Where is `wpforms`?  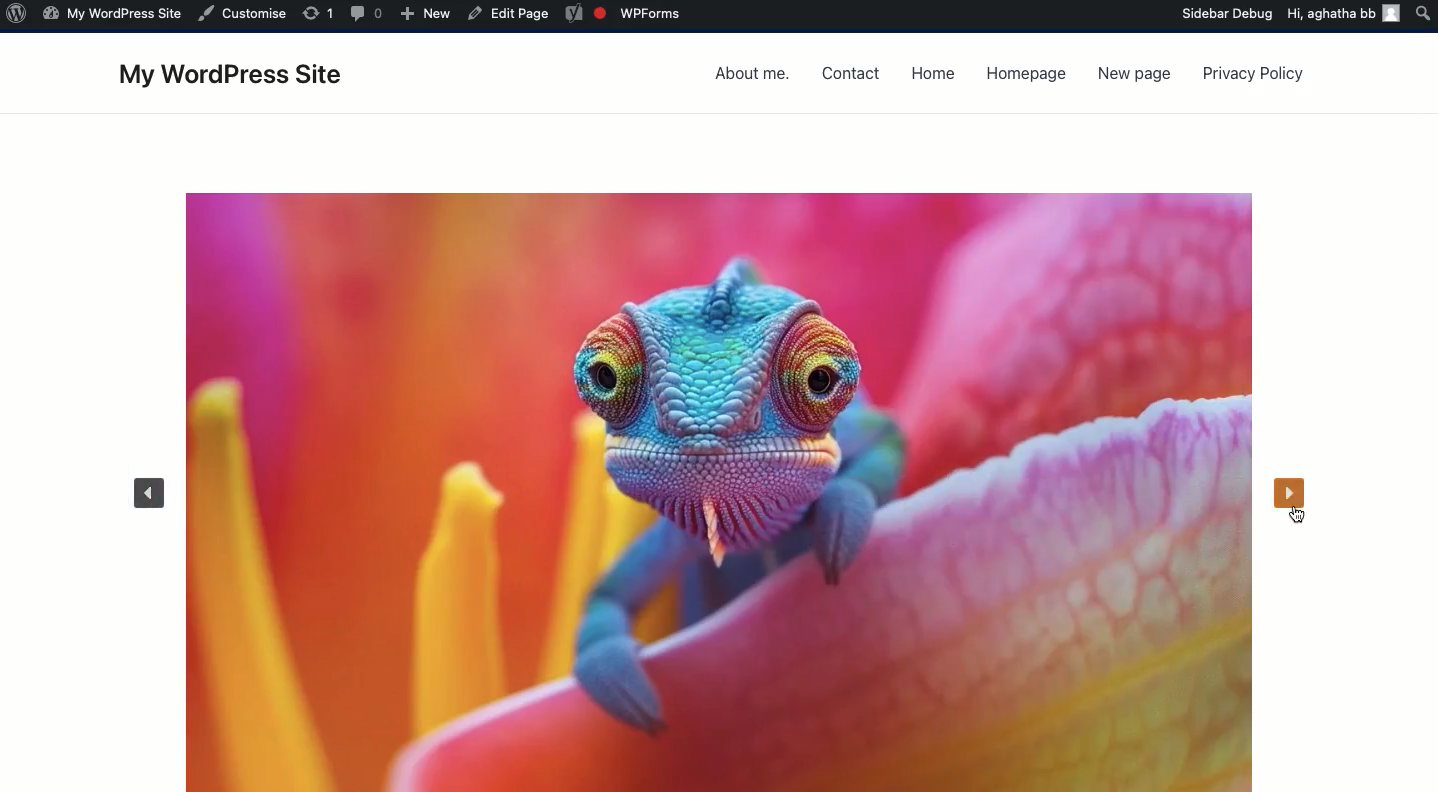 wpforms is located at coordinates (625, 14).